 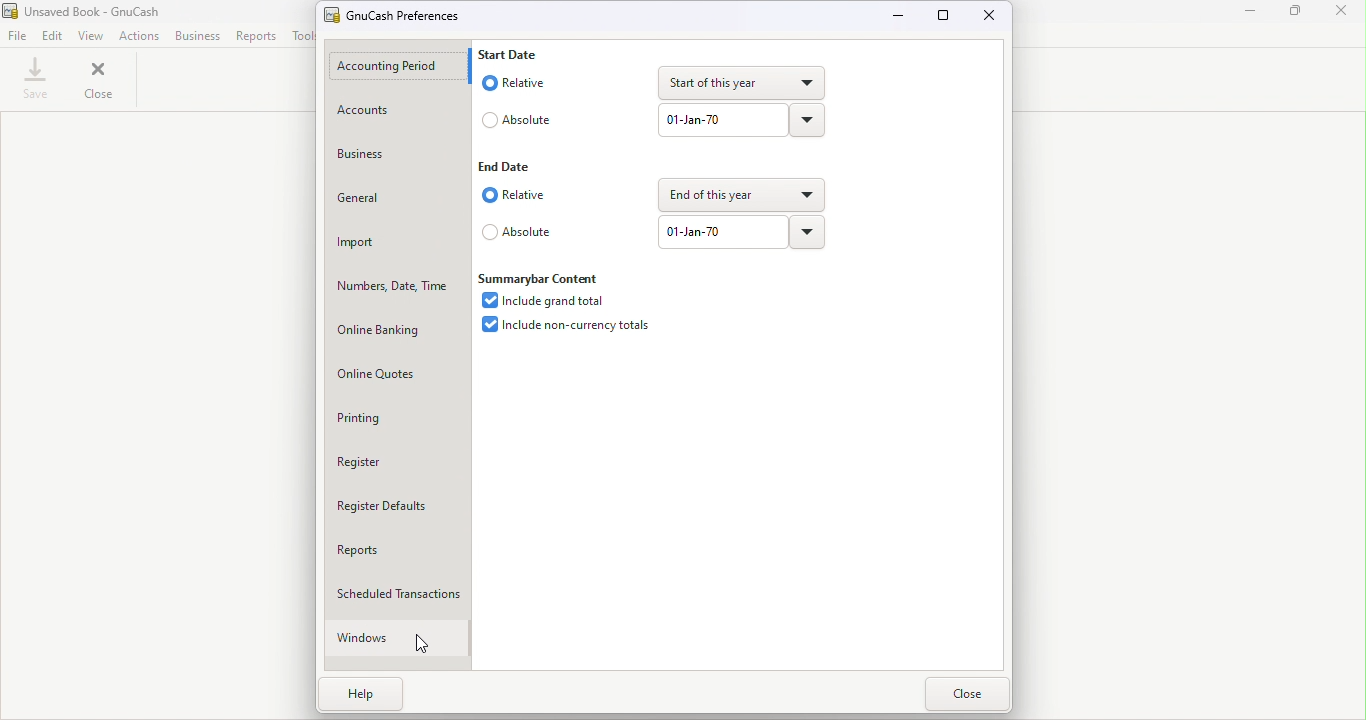 What do you see at coordinates (546, 300) in the screenshot?
I see `Include grand total` at bounding box center [546, 300].